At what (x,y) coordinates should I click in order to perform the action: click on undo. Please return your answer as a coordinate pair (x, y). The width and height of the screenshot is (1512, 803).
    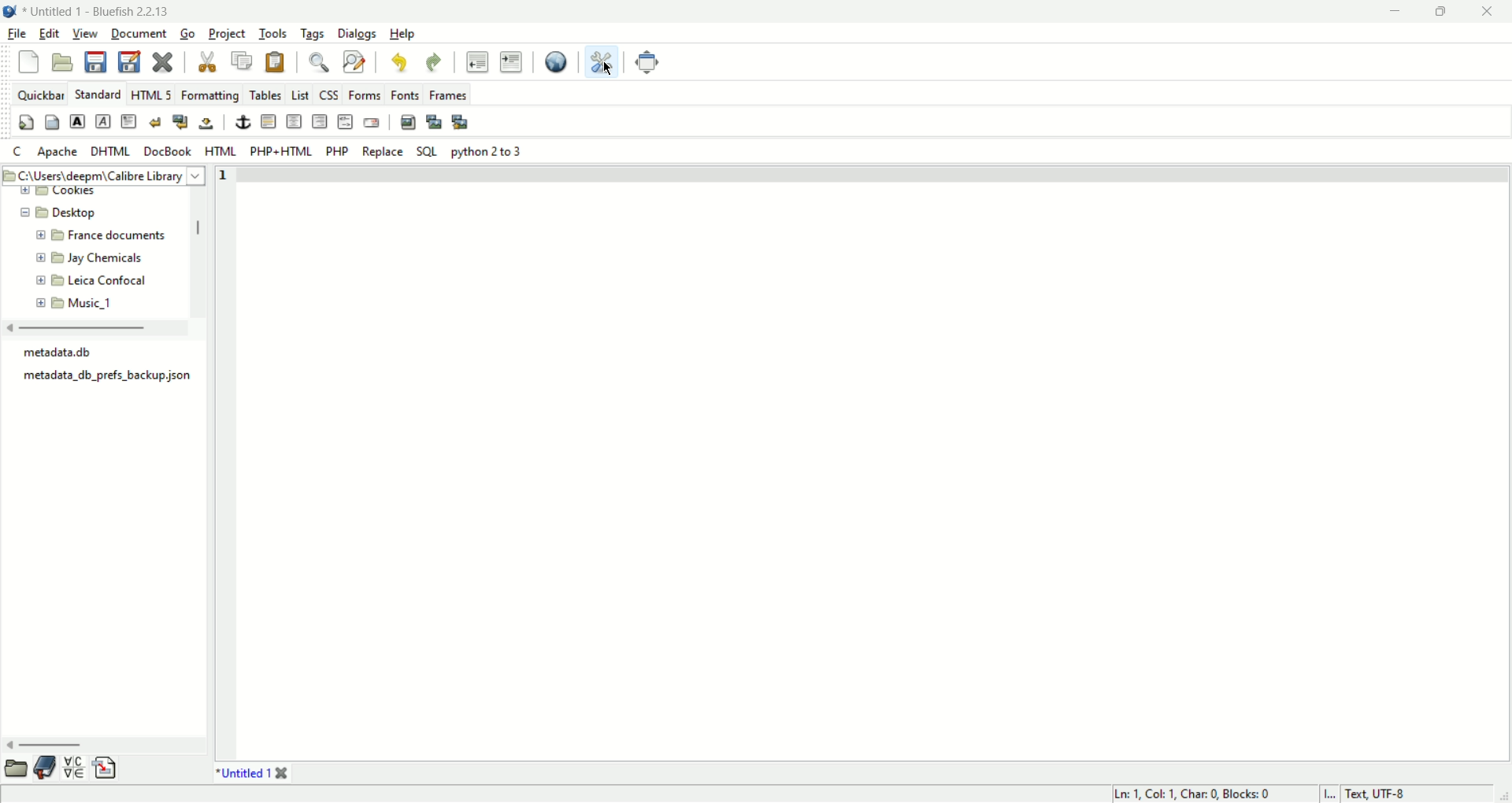
    Looking at the image, I should click on (434, 64).